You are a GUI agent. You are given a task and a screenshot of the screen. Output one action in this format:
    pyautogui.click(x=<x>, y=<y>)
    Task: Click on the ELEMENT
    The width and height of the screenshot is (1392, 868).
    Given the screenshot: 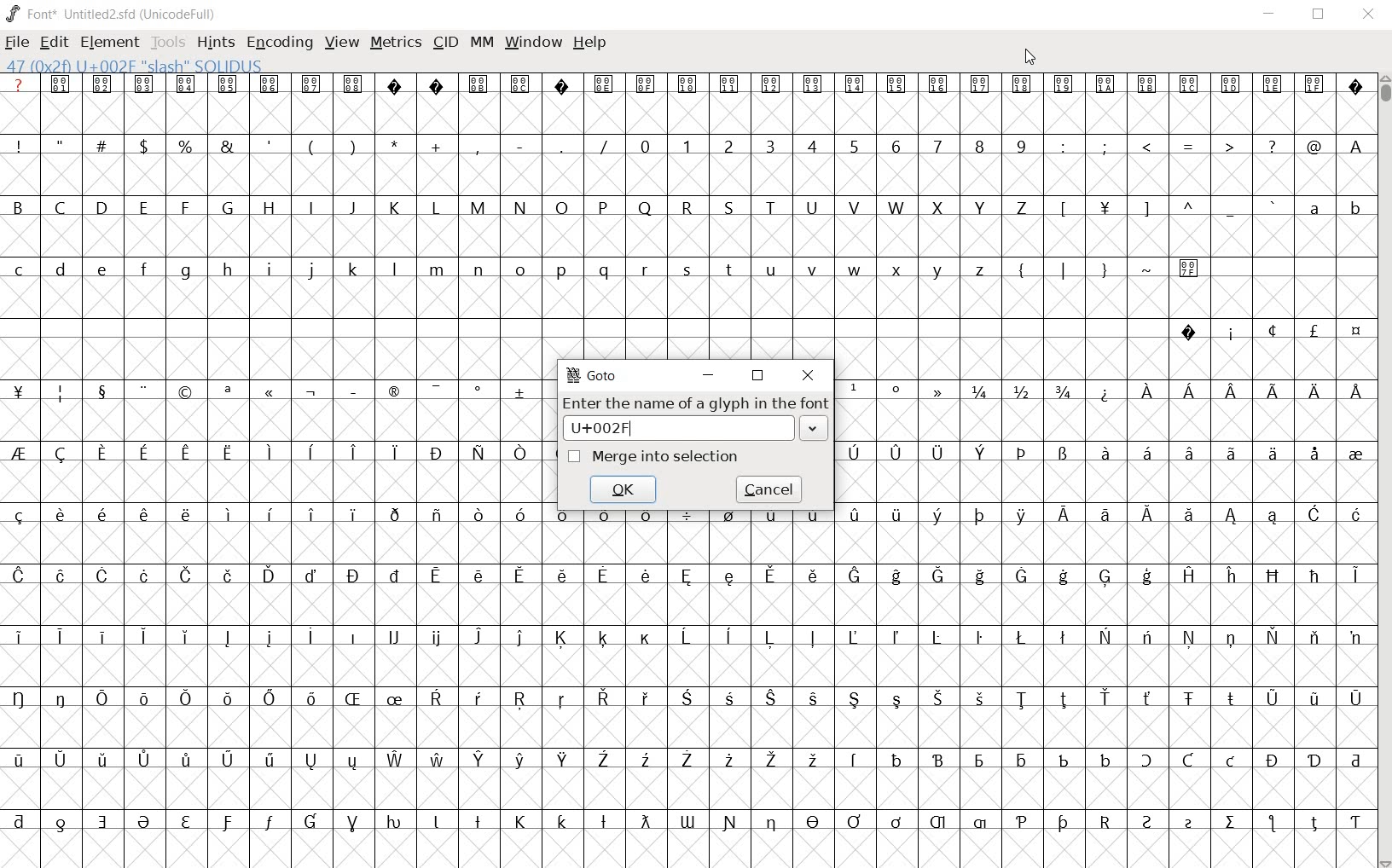 What is the action you would take?
    pyautogui.click(x=109, y=43)
    